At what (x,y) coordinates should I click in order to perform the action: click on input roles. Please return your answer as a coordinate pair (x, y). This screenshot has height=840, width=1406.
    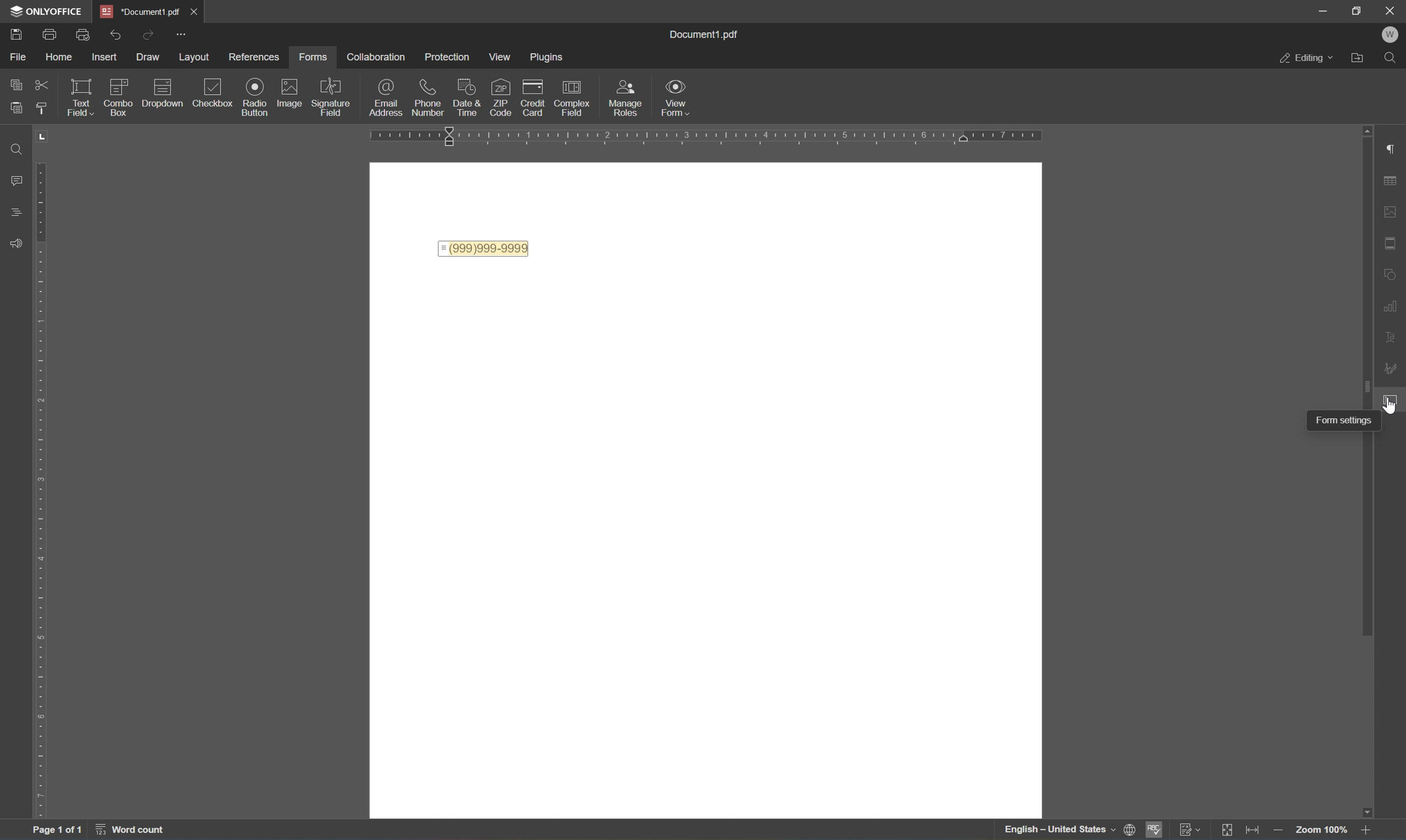
    Looking at the image, I should click on (628, 98).